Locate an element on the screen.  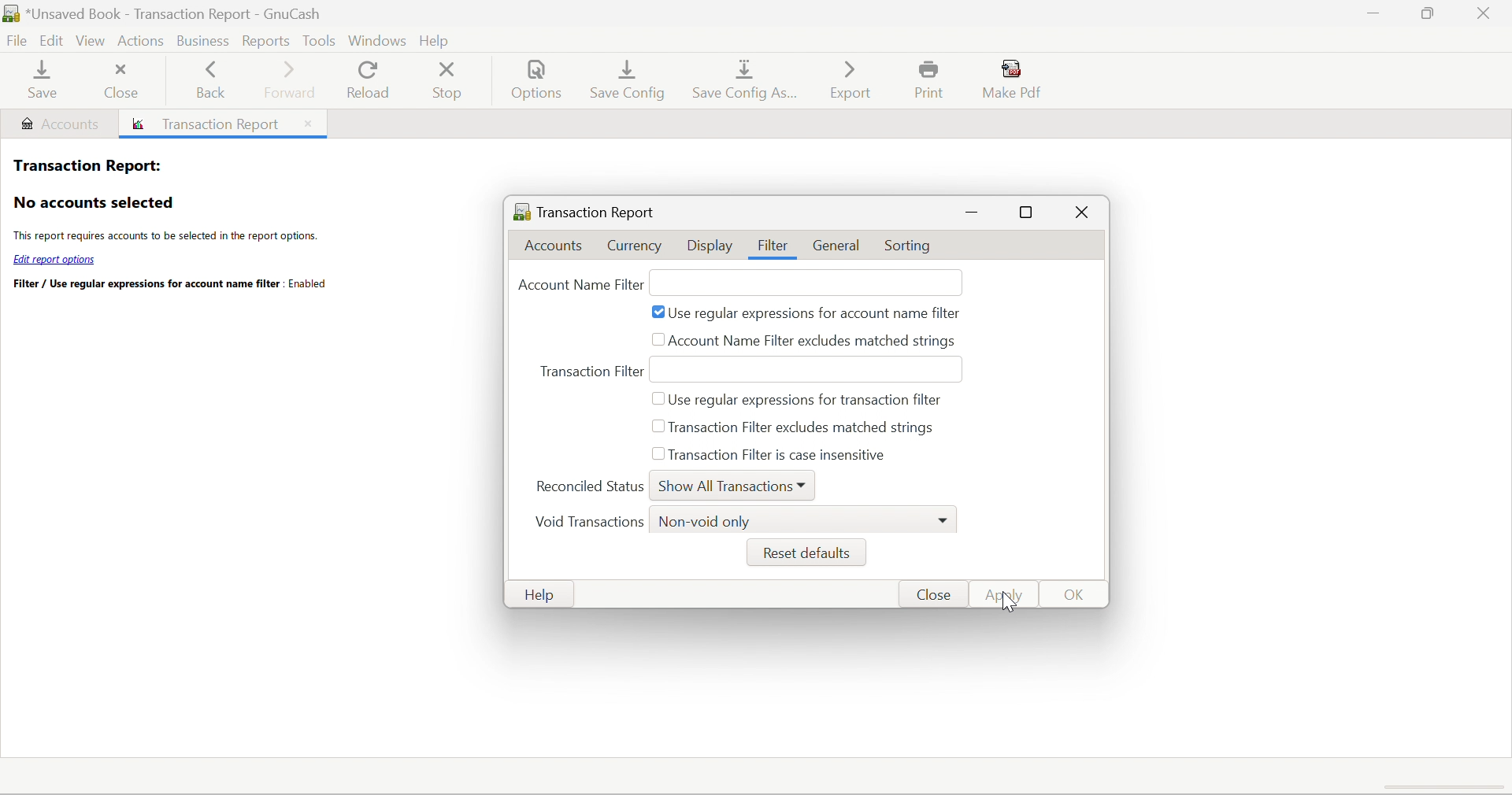
Transaction Report: is located at coordinates (86, 164).